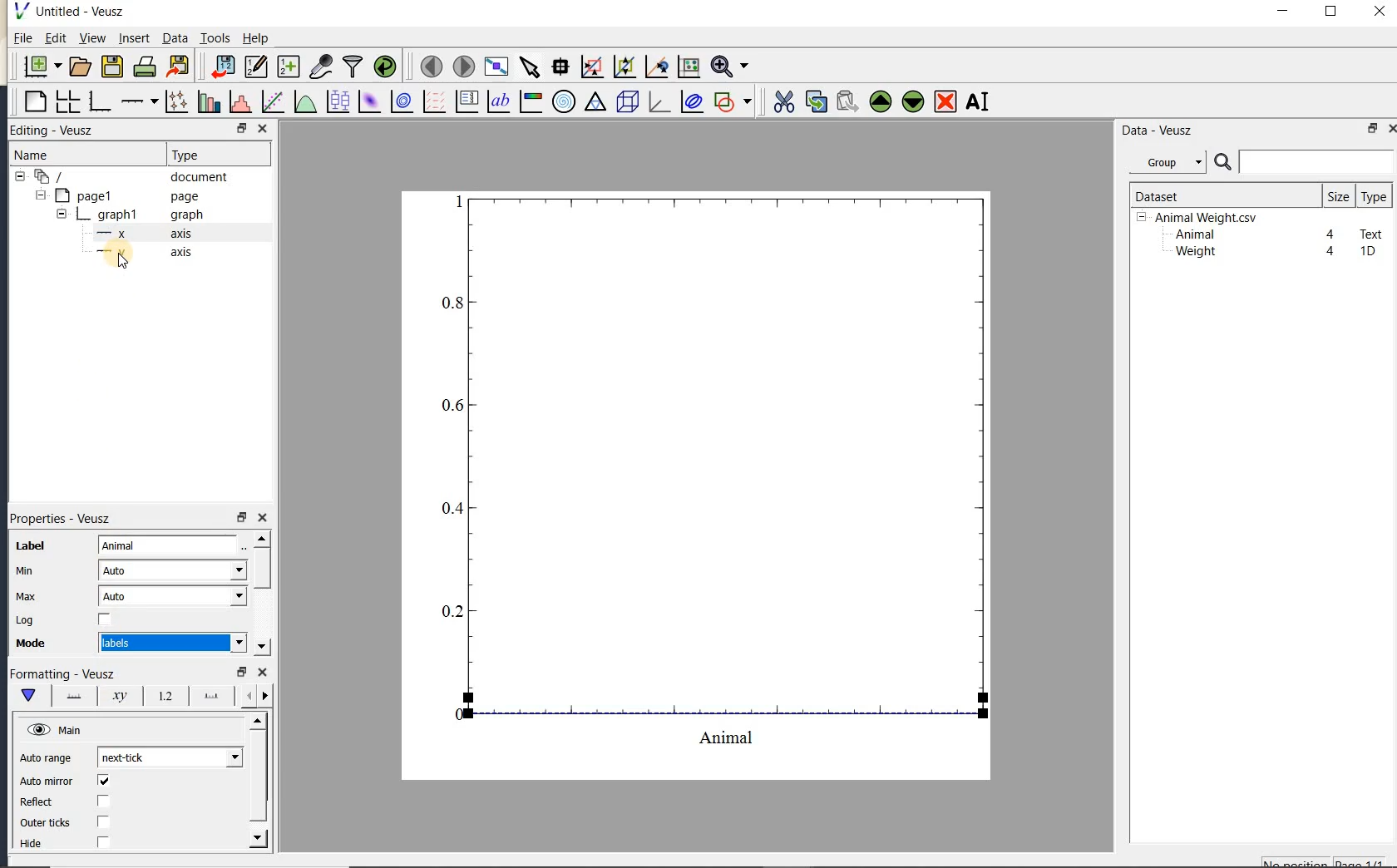 The image size is (1397, 868). What do you see at coordinates (134, 37) in the screenshot?
I see `insert` at bounding box center [134, 37].